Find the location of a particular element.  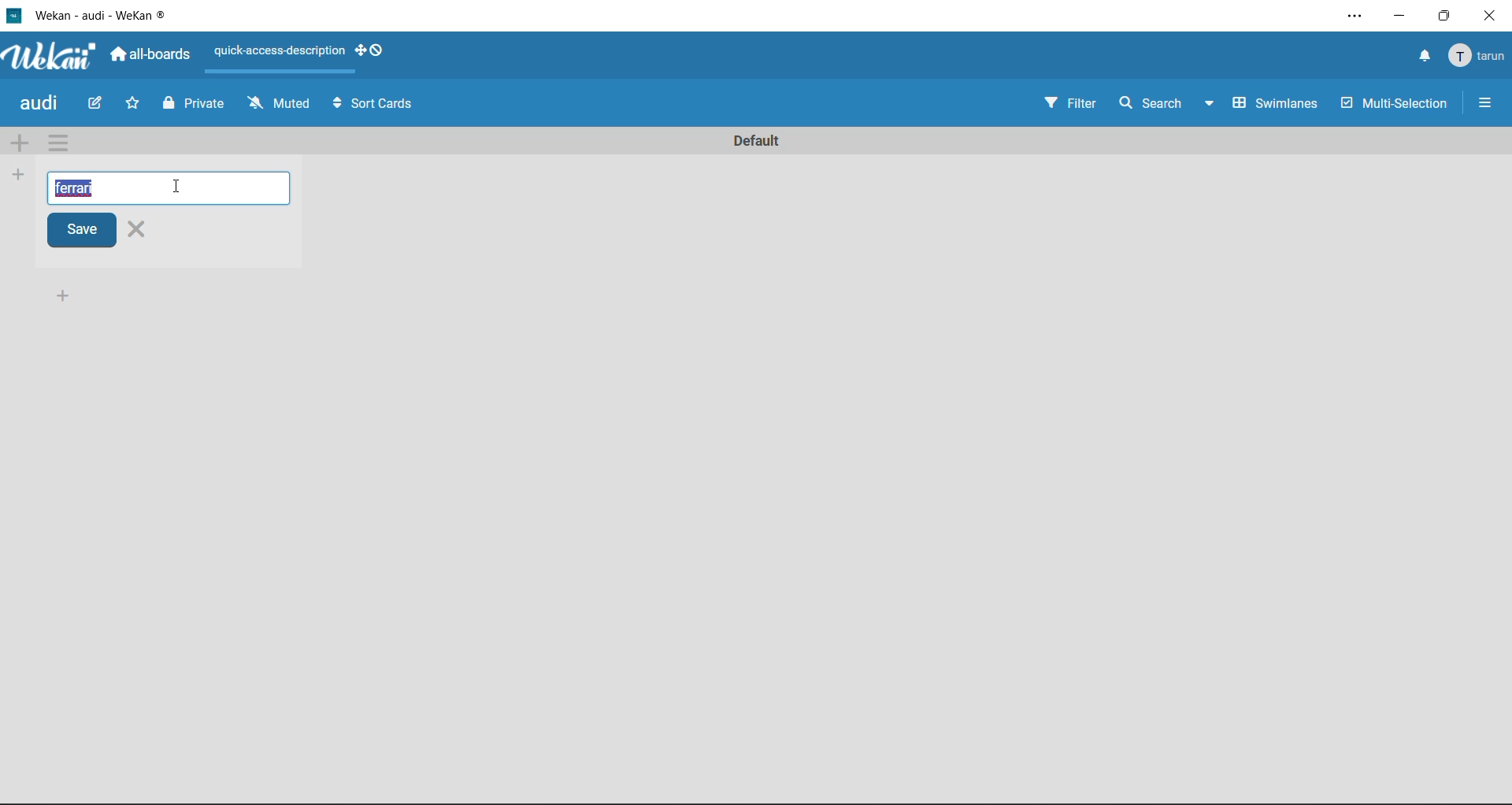

Multi-Selection is located at coordinates (1395, 102).